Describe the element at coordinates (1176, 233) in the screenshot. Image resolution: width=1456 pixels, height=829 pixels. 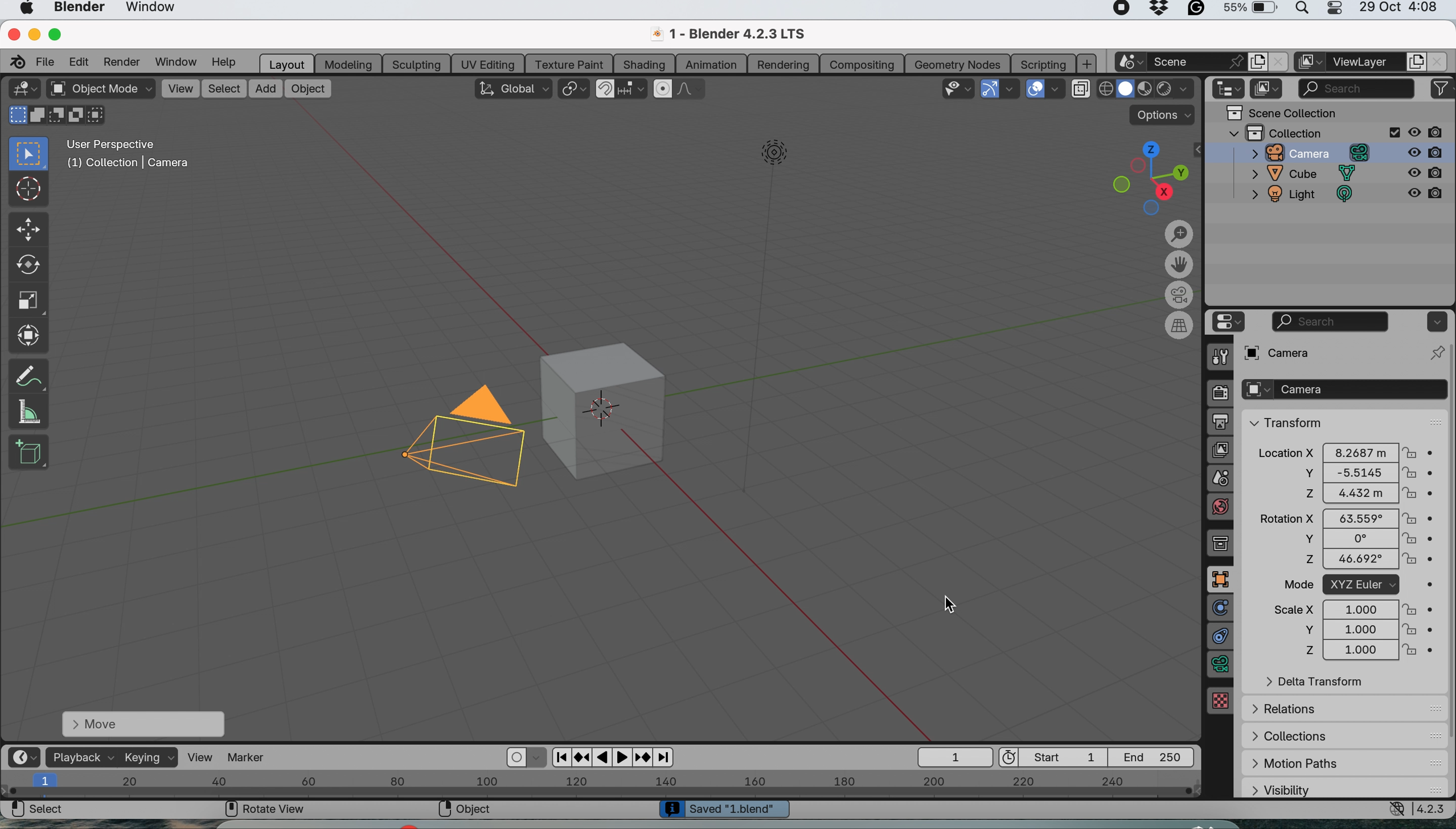
I see `zoom in and out` at that location.